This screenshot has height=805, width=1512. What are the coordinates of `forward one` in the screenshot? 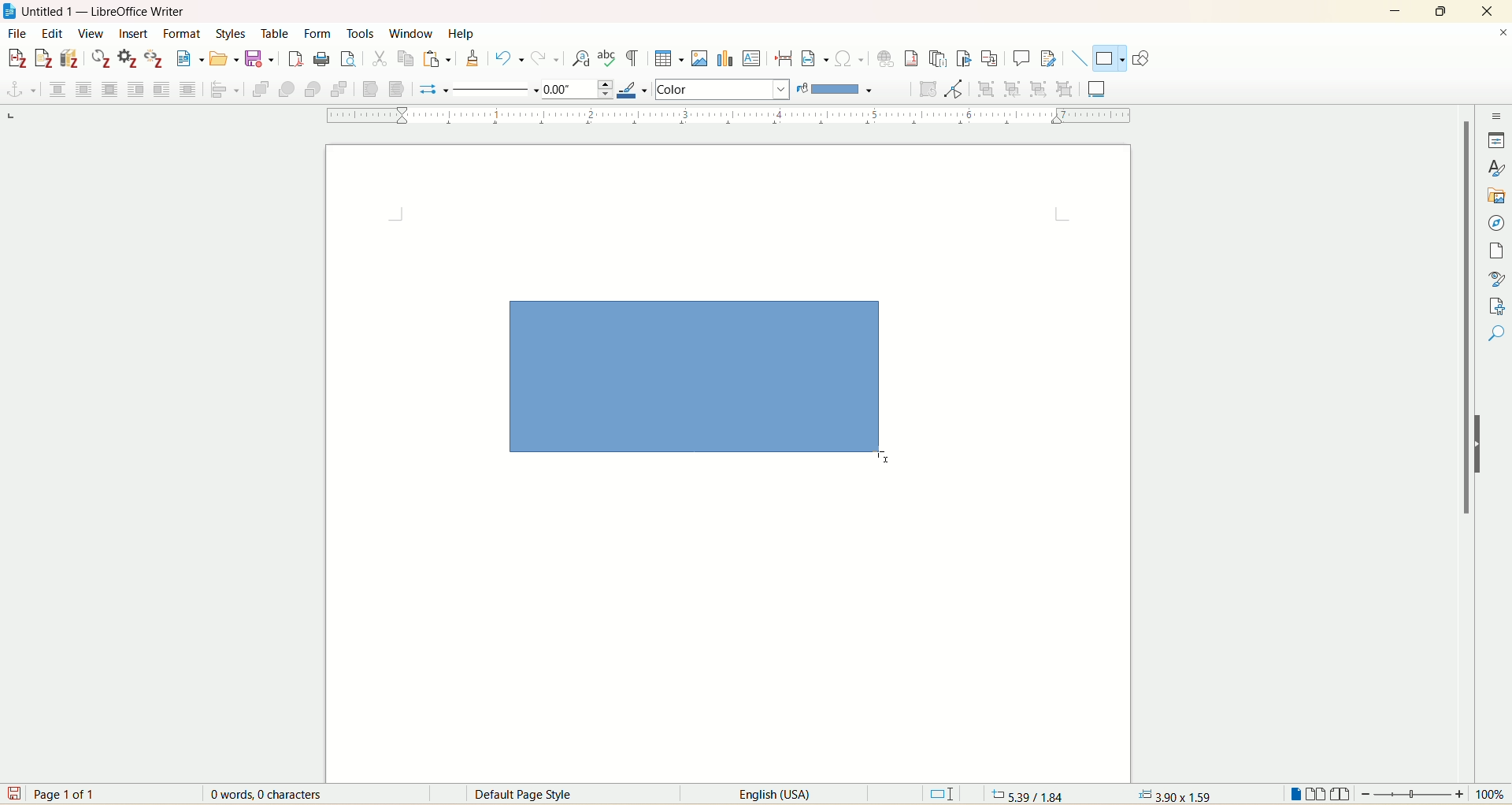 It's located at (287, 91).